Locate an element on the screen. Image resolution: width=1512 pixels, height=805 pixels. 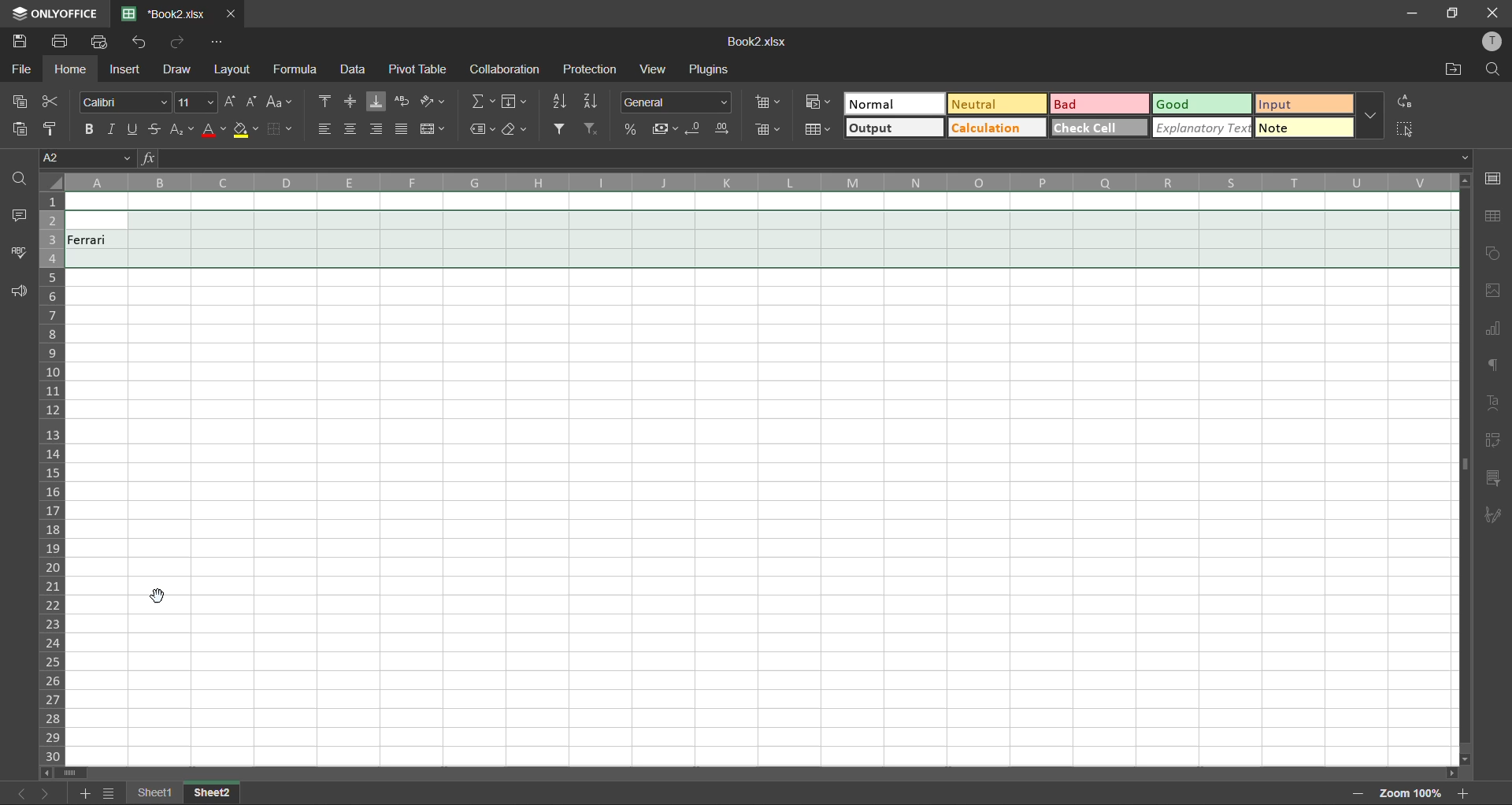
sort descending is located at coordinates (594, 102).